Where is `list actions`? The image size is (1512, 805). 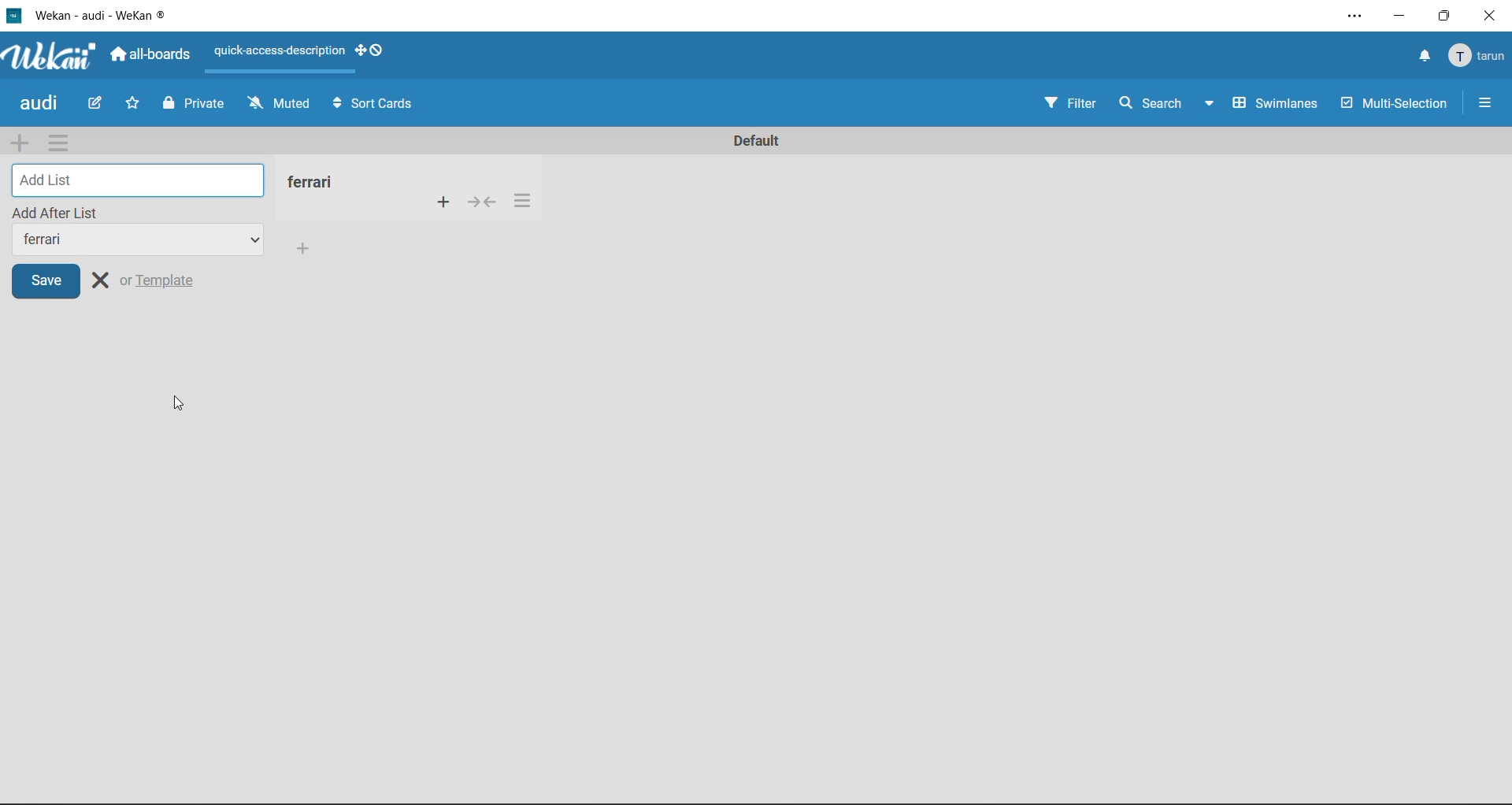
list actions is located at coordinates (524, 200).